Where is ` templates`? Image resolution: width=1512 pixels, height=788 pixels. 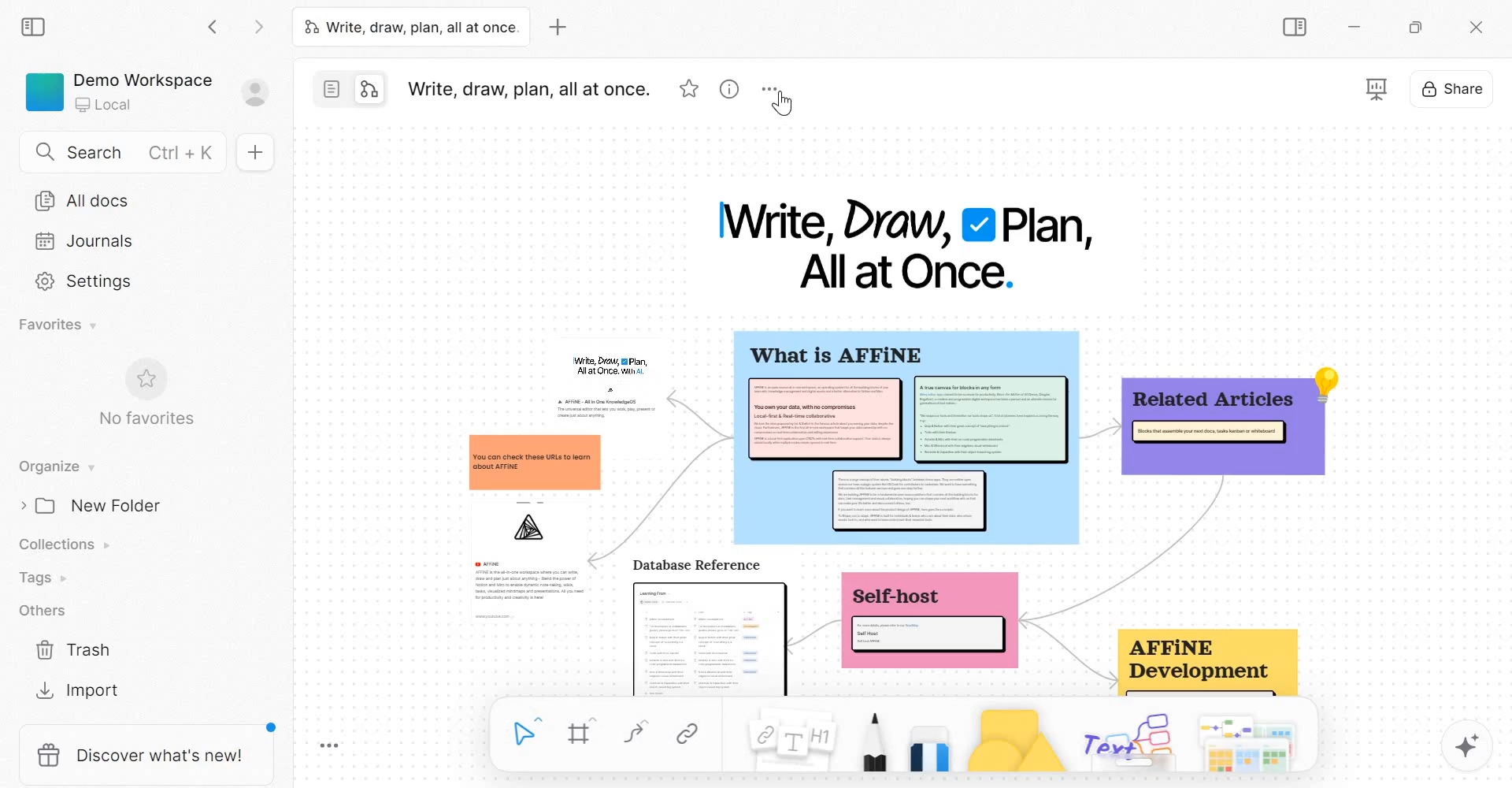
 templates is located at coordinates (1247, 742).